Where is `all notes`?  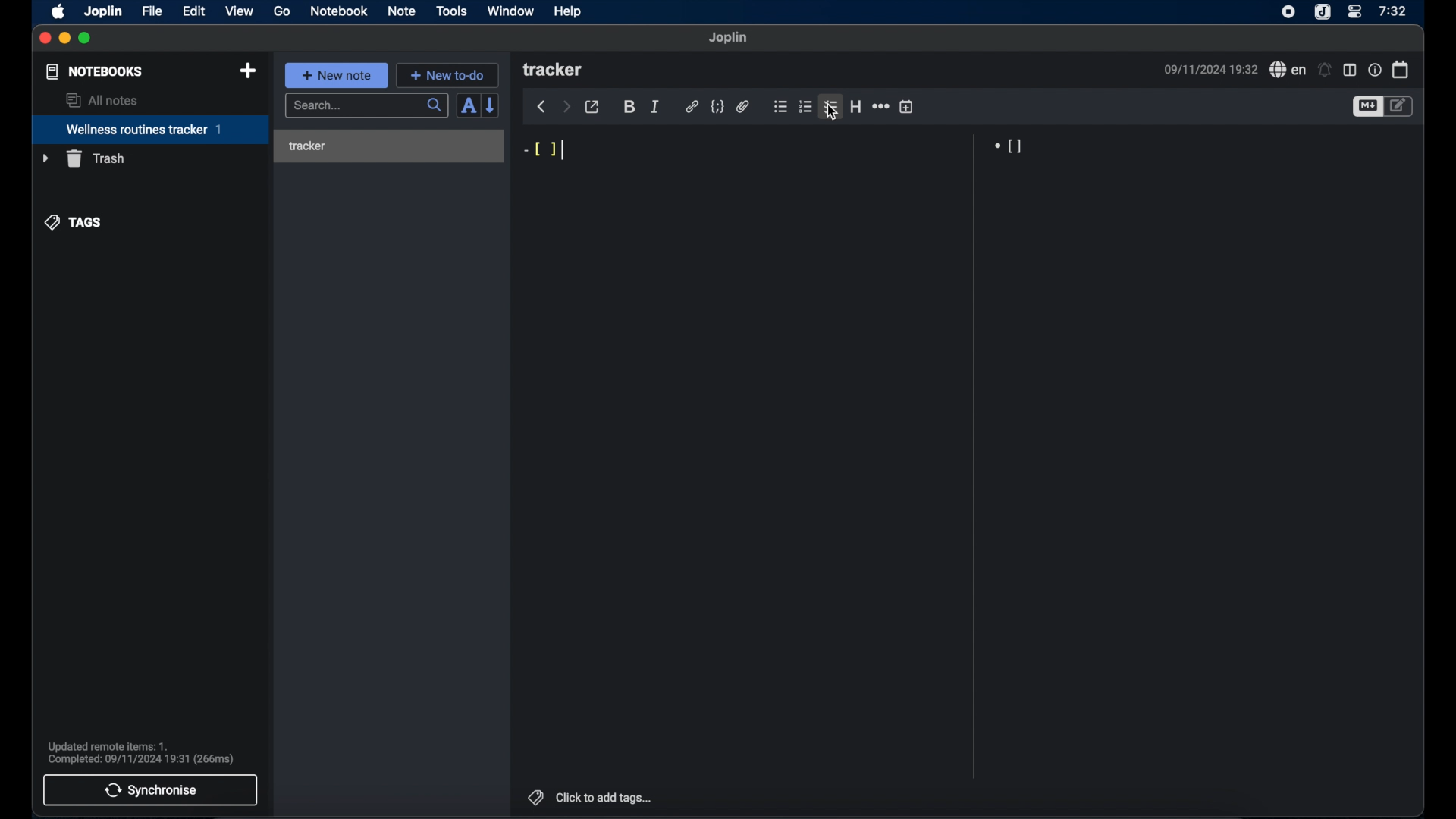 all notes is located at coordinates (101, 100).